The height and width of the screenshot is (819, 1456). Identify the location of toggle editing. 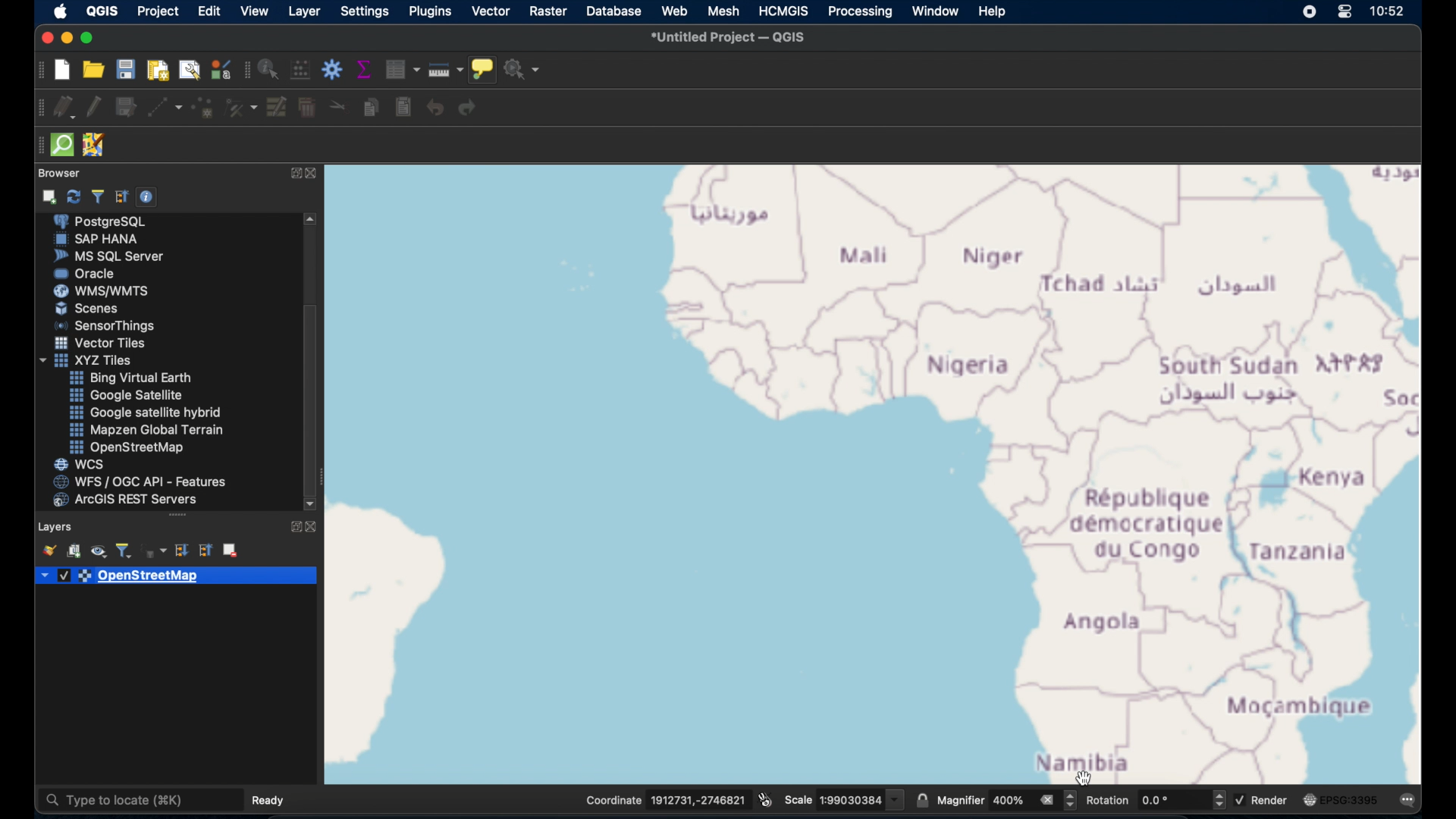
(97, 108).